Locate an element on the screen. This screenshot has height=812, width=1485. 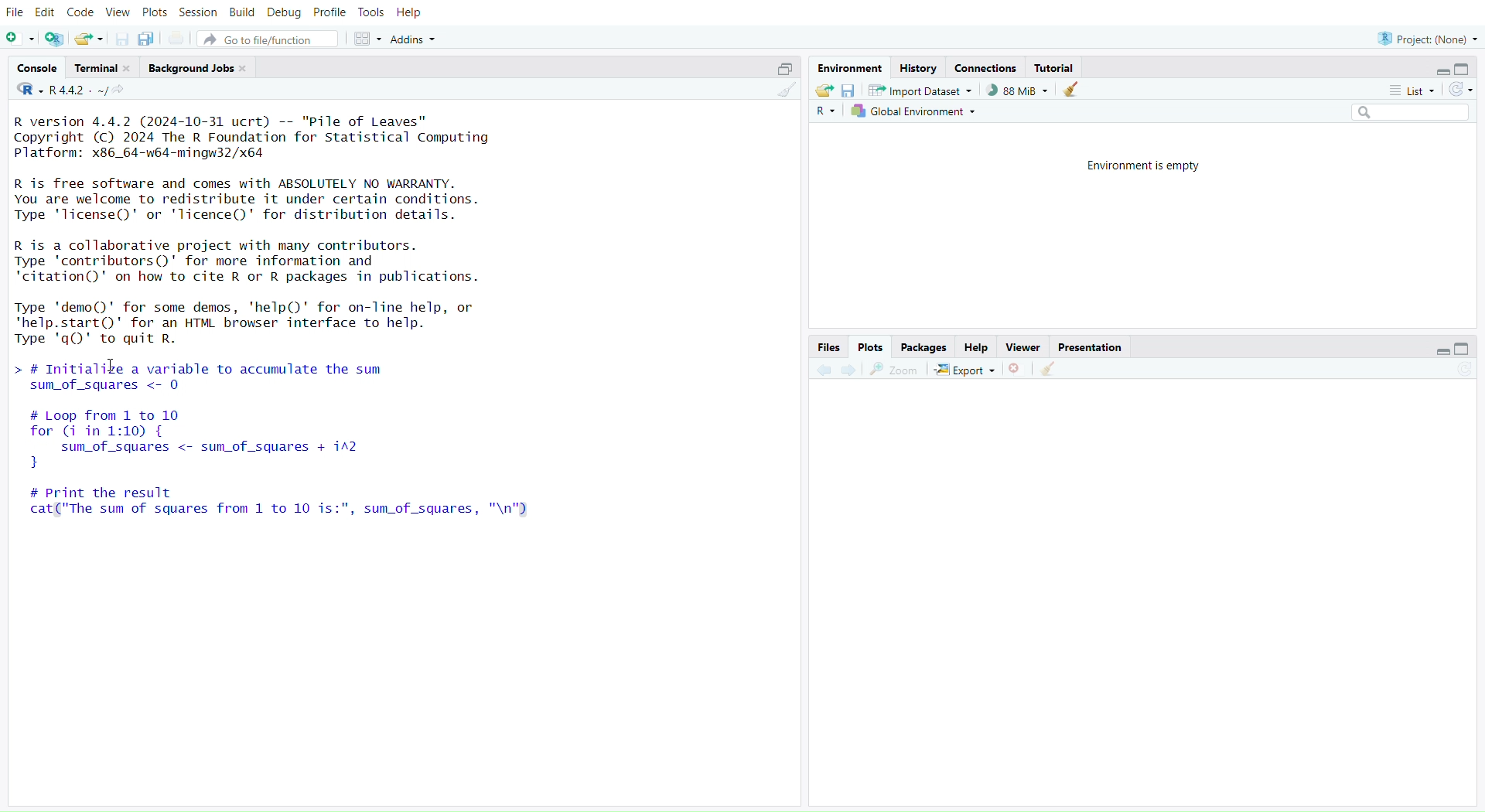
# Loop from 1 to 10 is located at coordinates (108, 414).